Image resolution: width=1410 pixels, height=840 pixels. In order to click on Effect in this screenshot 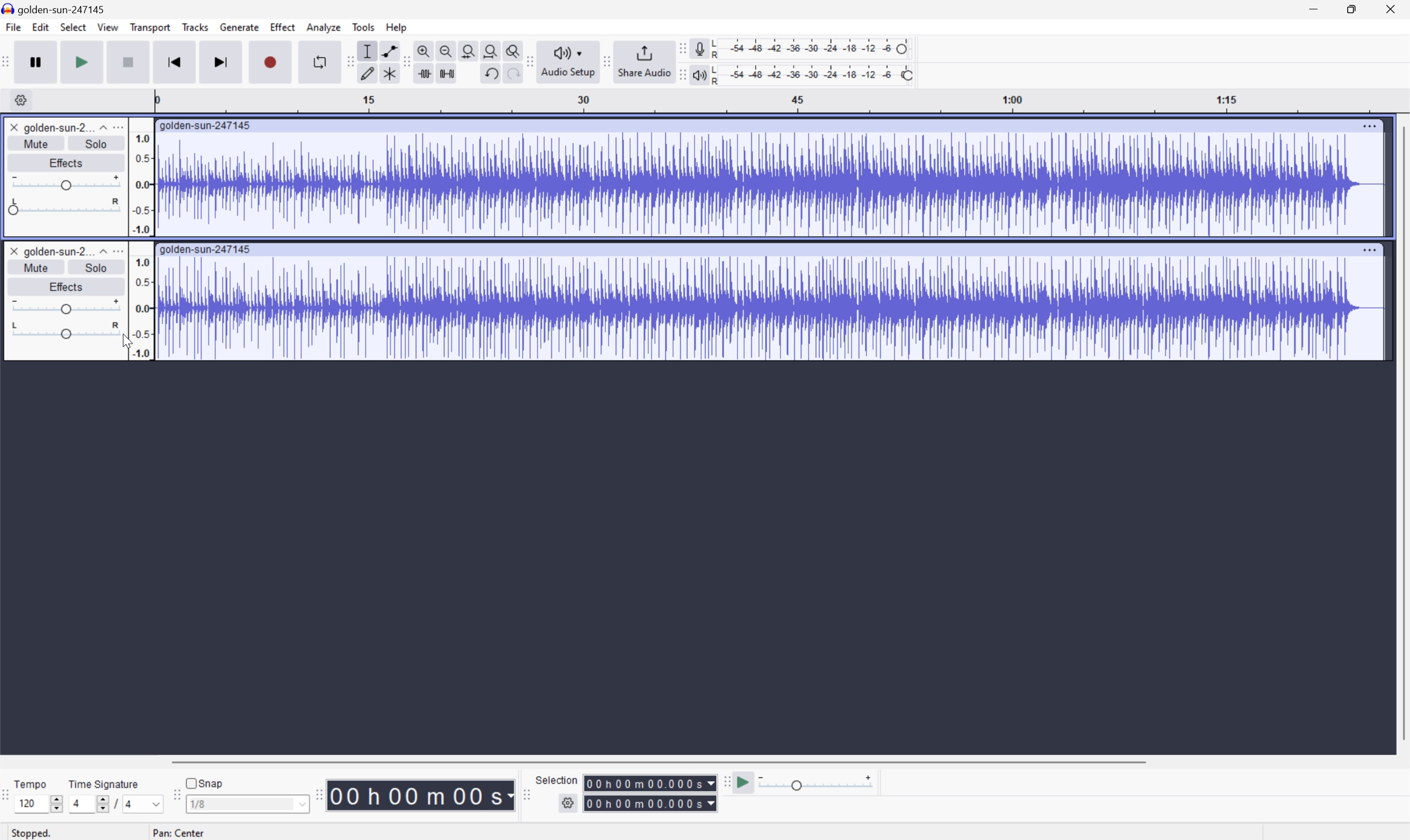, I will do `click(283, 28)`.